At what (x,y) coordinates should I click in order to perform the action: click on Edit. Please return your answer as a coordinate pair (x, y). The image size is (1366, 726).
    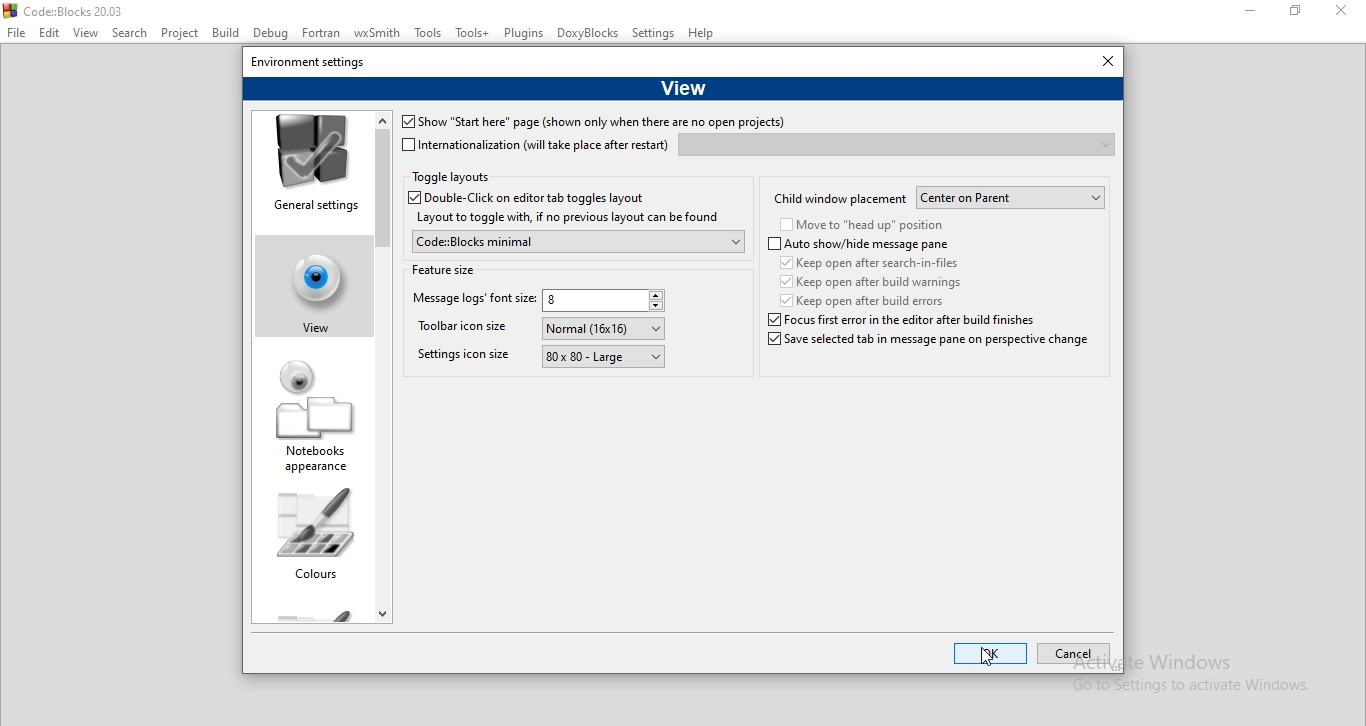
    Looking at the image, I should click on (49, 33).